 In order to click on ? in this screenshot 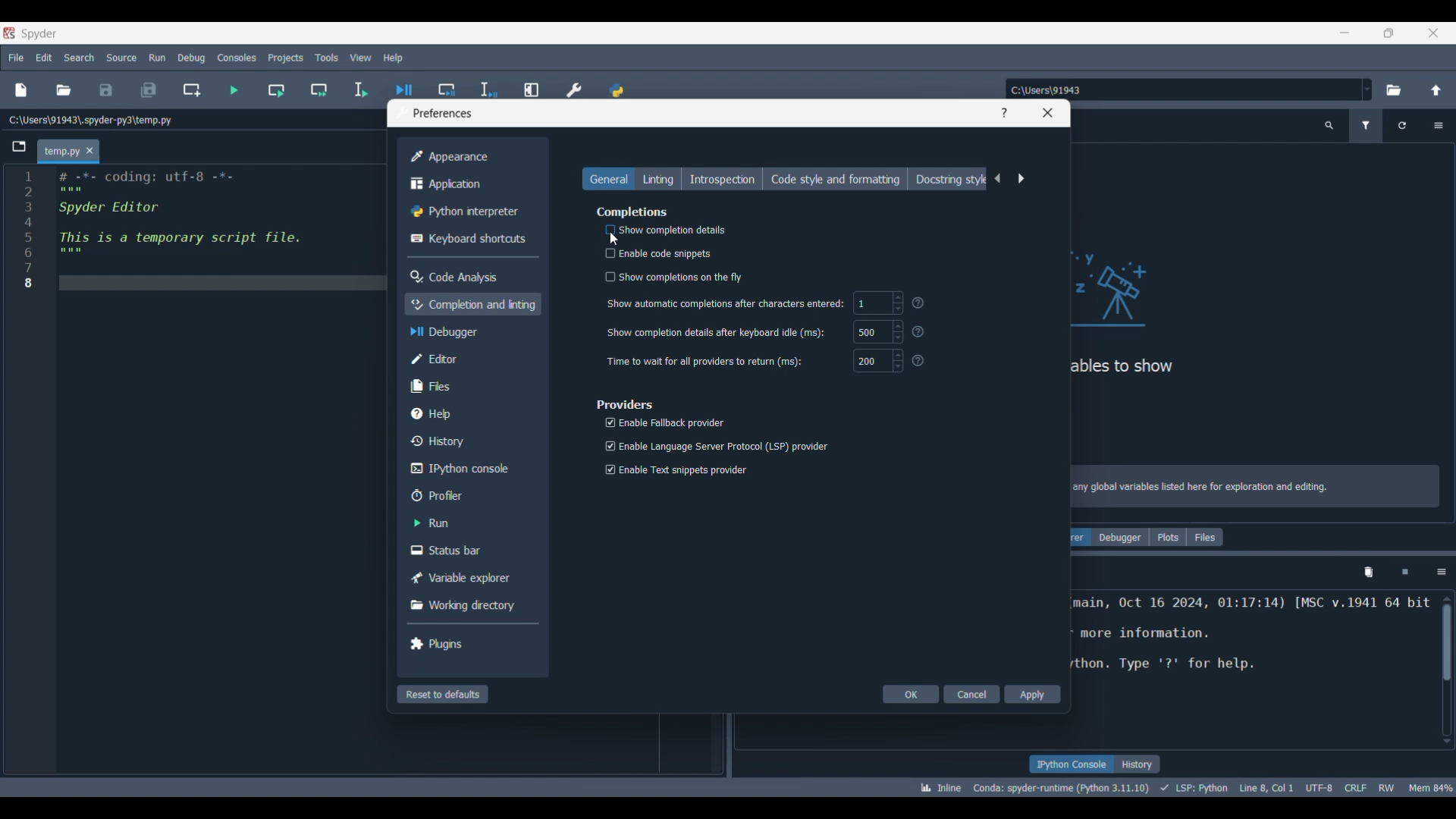, I will do `click(921, 331)`.